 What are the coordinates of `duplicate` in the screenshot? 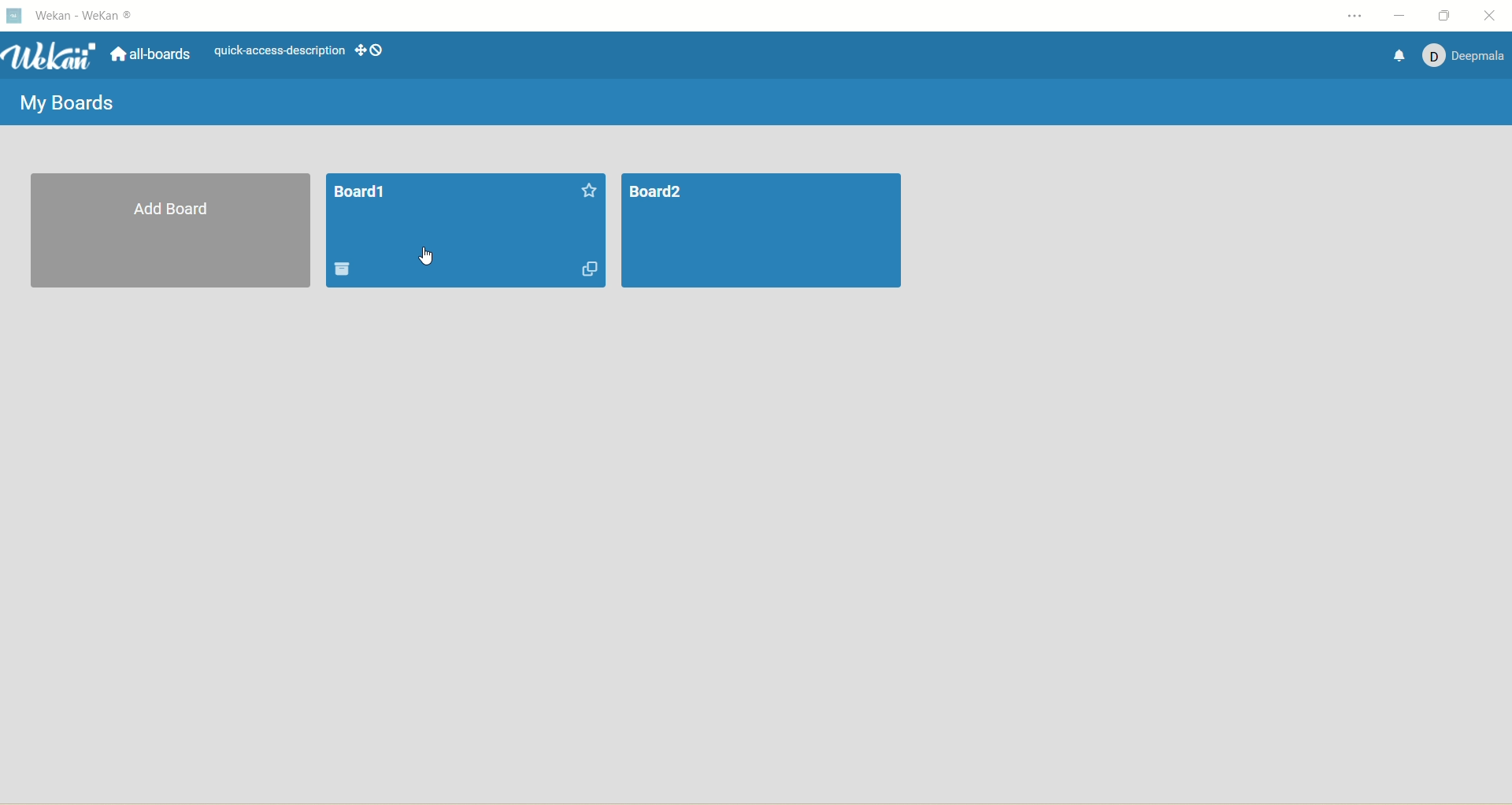 It's located at (589, 269).